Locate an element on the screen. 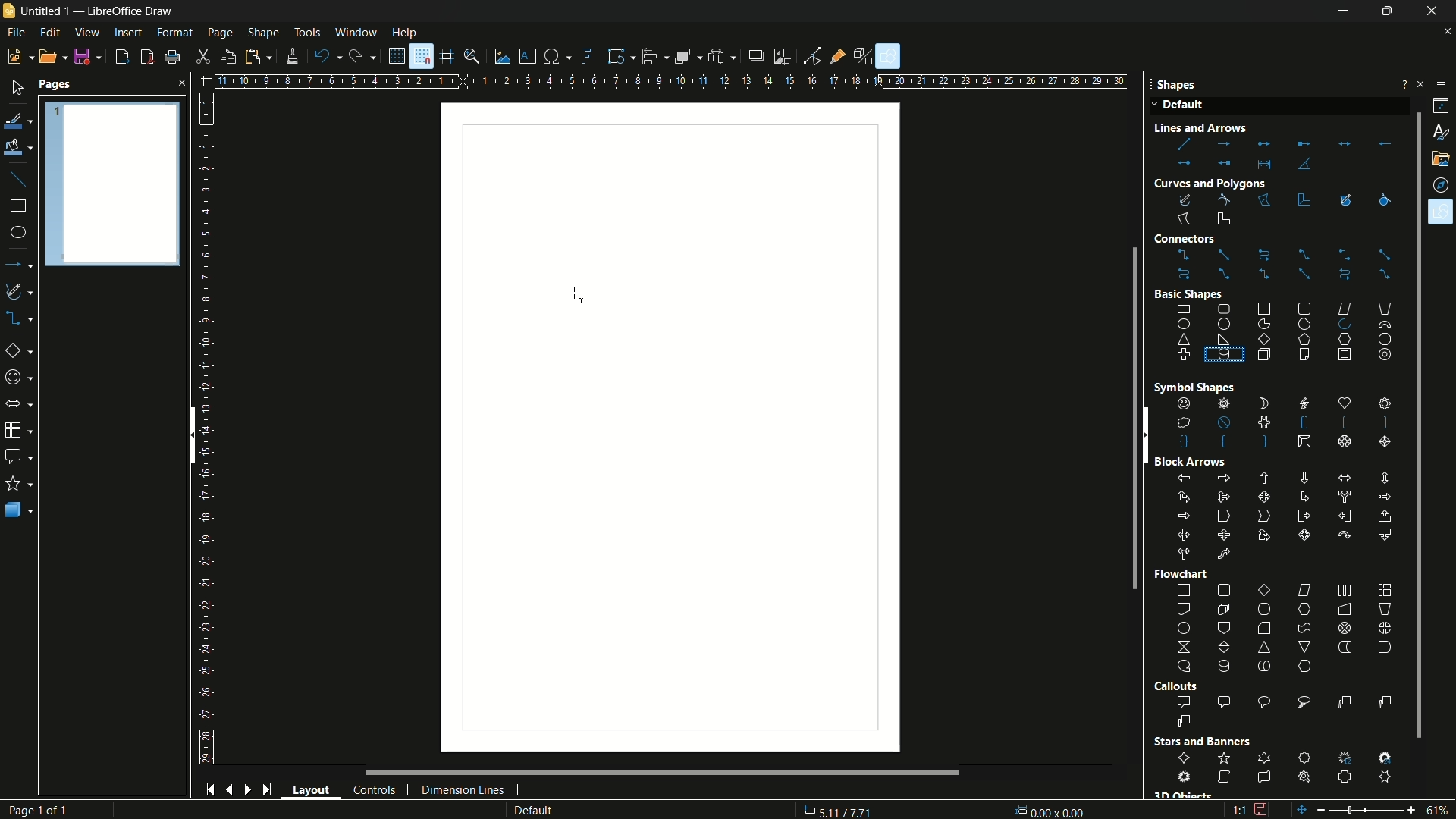 The height and width of the screenshot is (819, 1456). Block Arrows is located at coordinates (1191, 462).